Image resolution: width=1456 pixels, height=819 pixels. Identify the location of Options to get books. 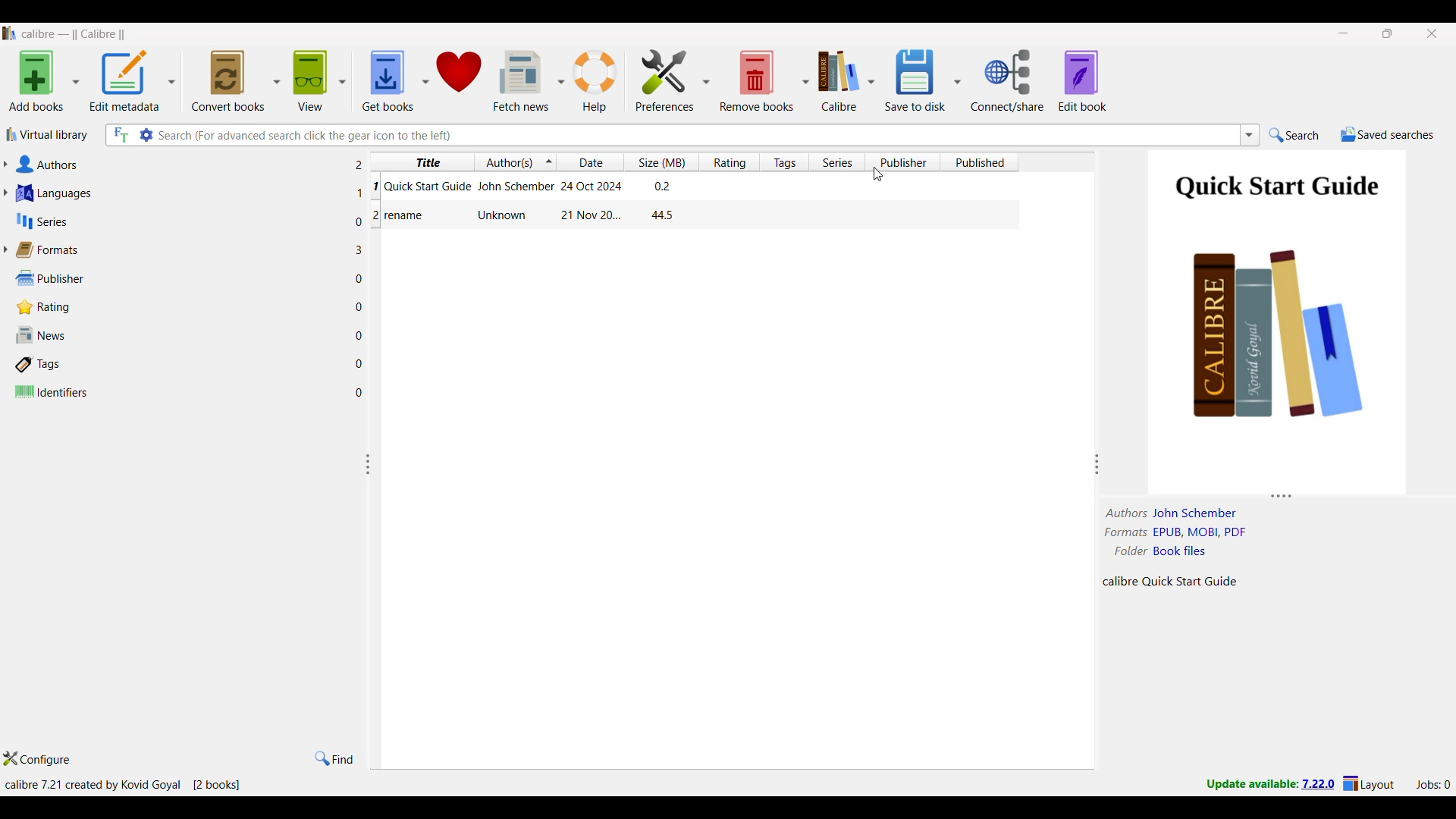
(395, 80).